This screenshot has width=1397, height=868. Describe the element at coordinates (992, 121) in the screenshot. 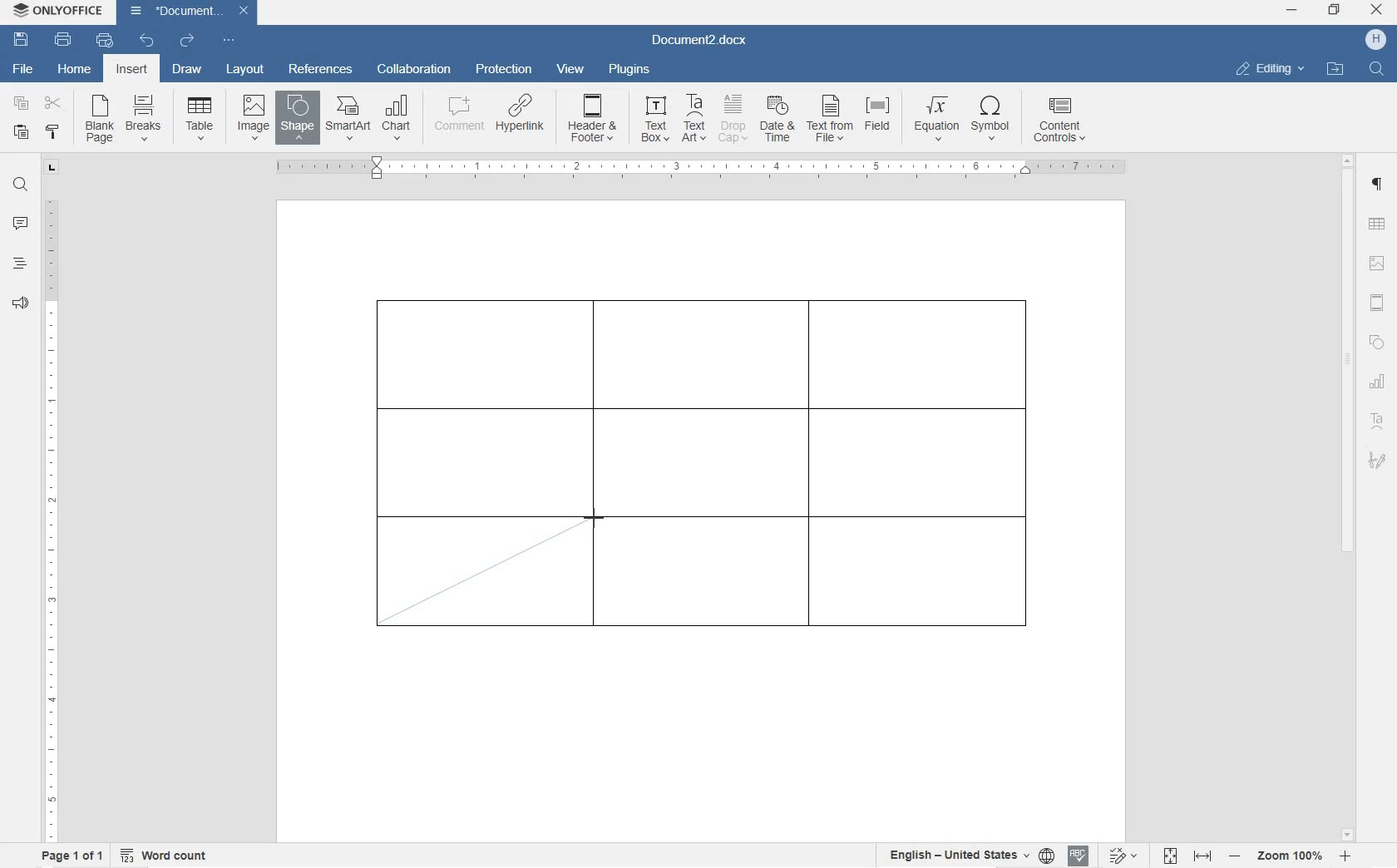

I see `SYMBOL` at that location.